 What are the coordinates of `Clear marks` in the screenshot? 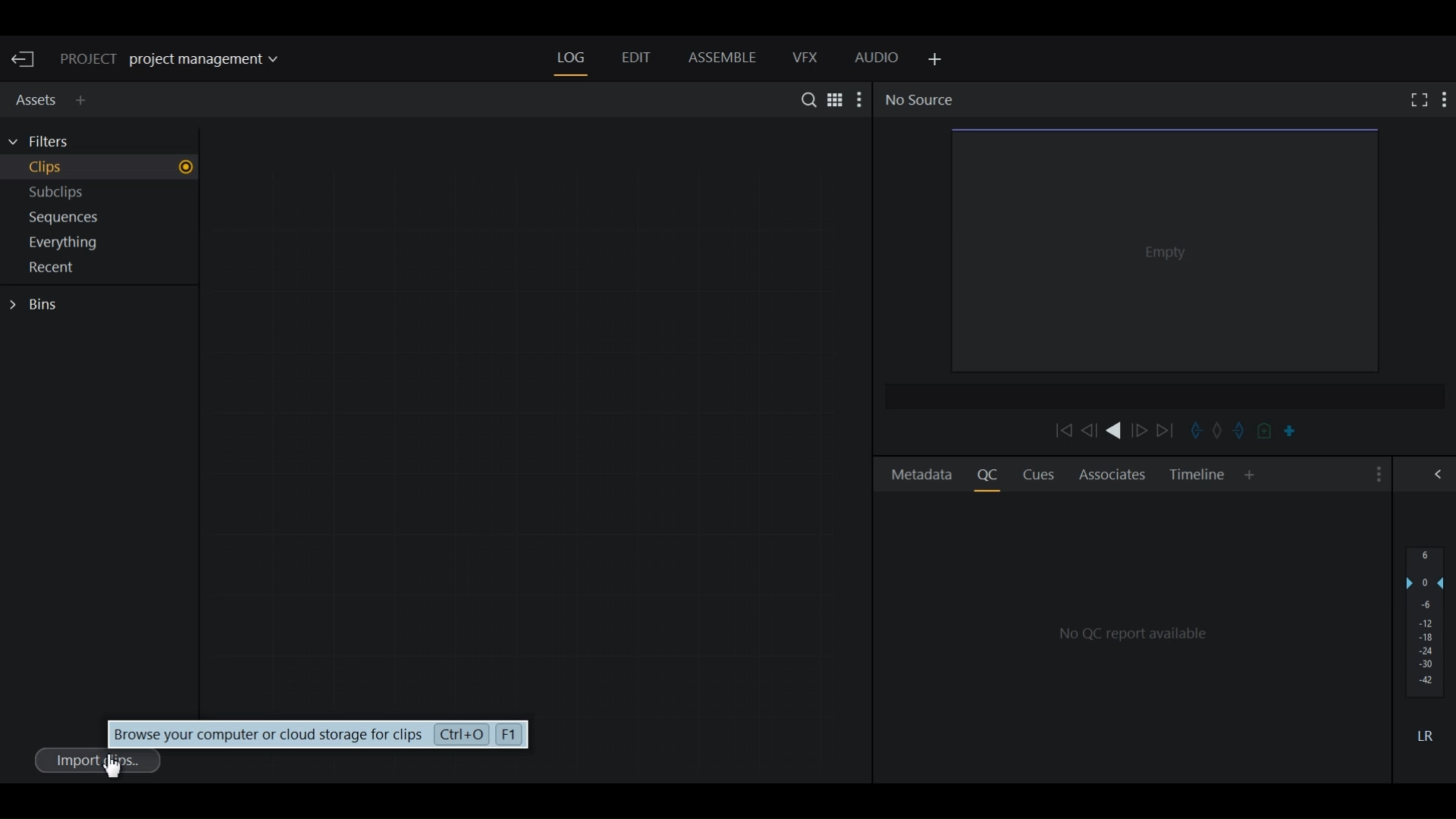 It's located at (1217, 432).